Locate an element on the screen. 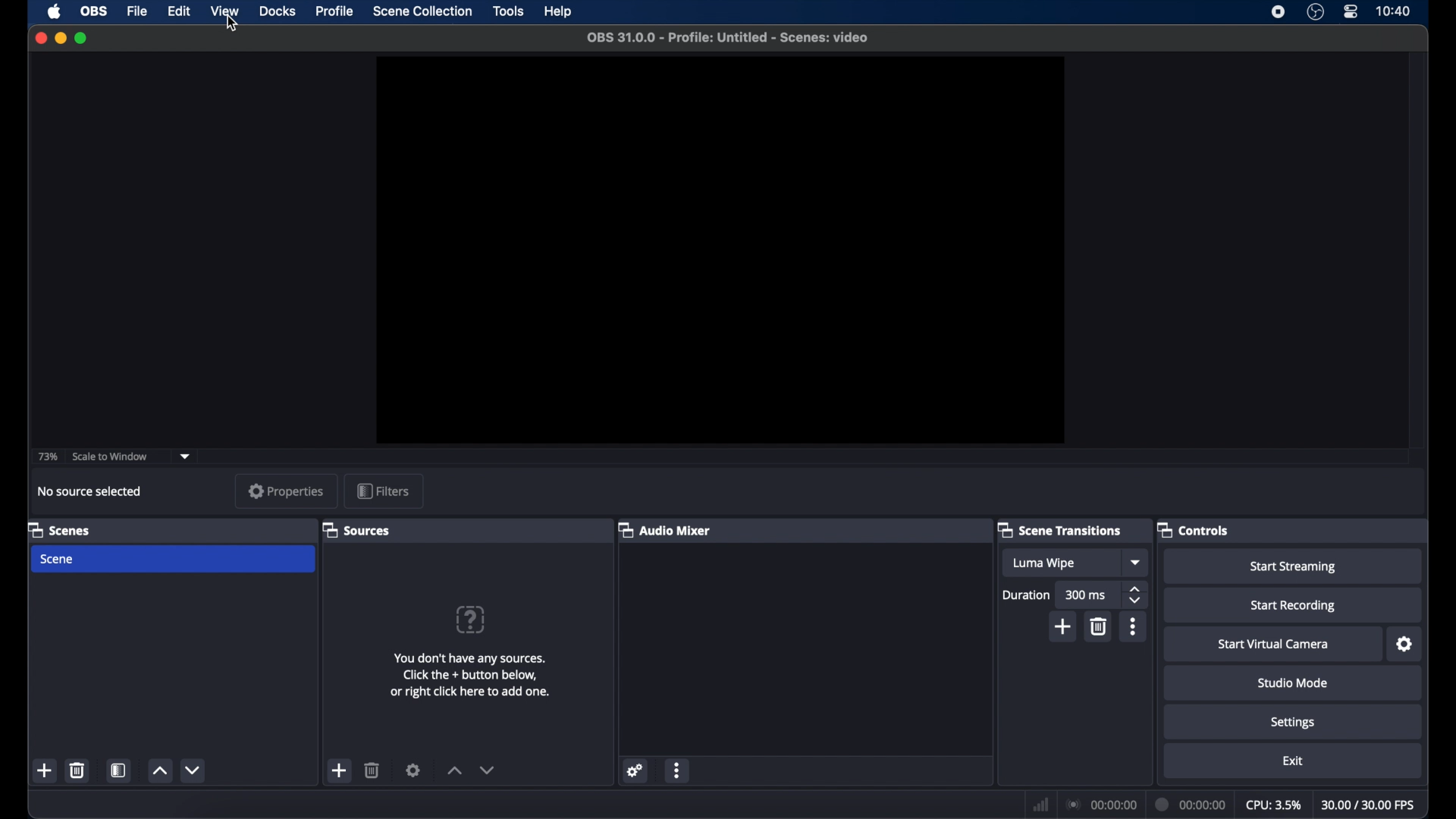 This screenshot has width=1456, height=819. scene is located at coordinates (173, 560).